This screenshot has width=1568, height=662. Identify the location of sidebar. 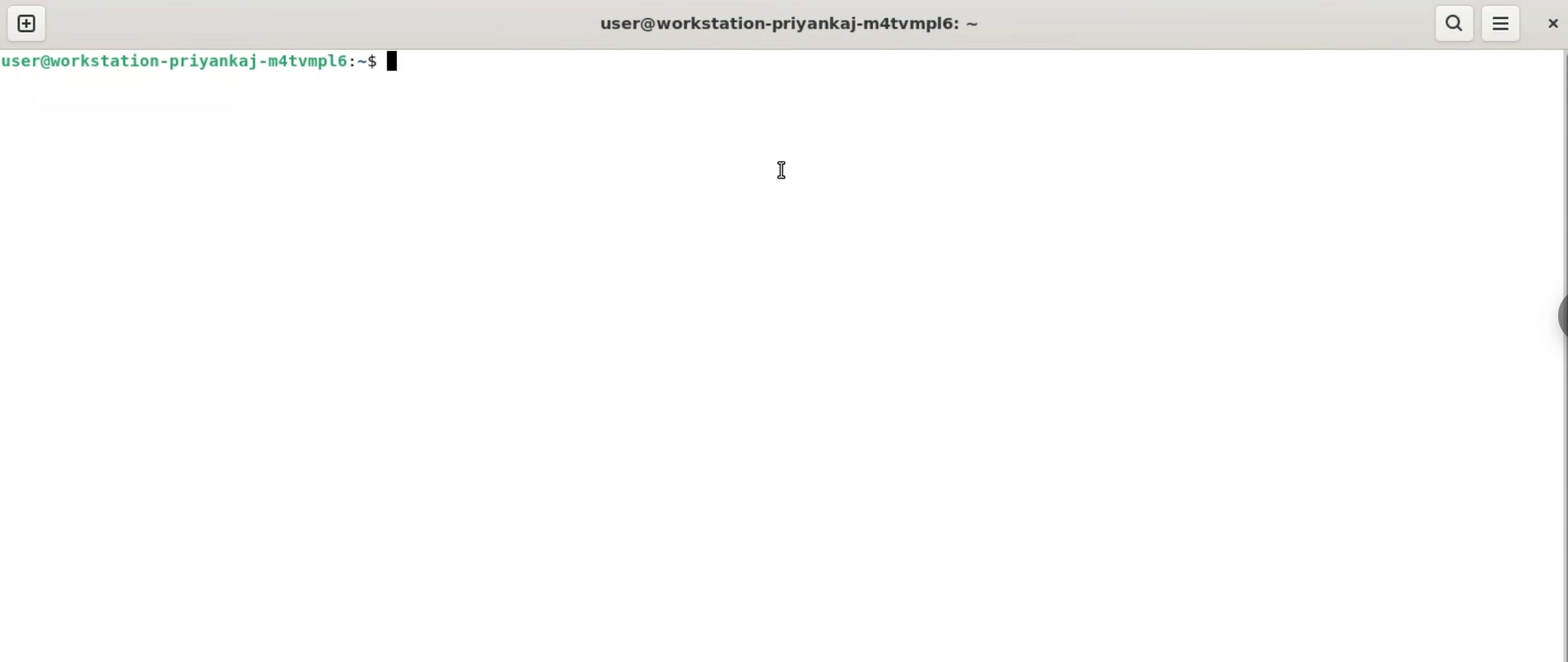
(1560, 313).